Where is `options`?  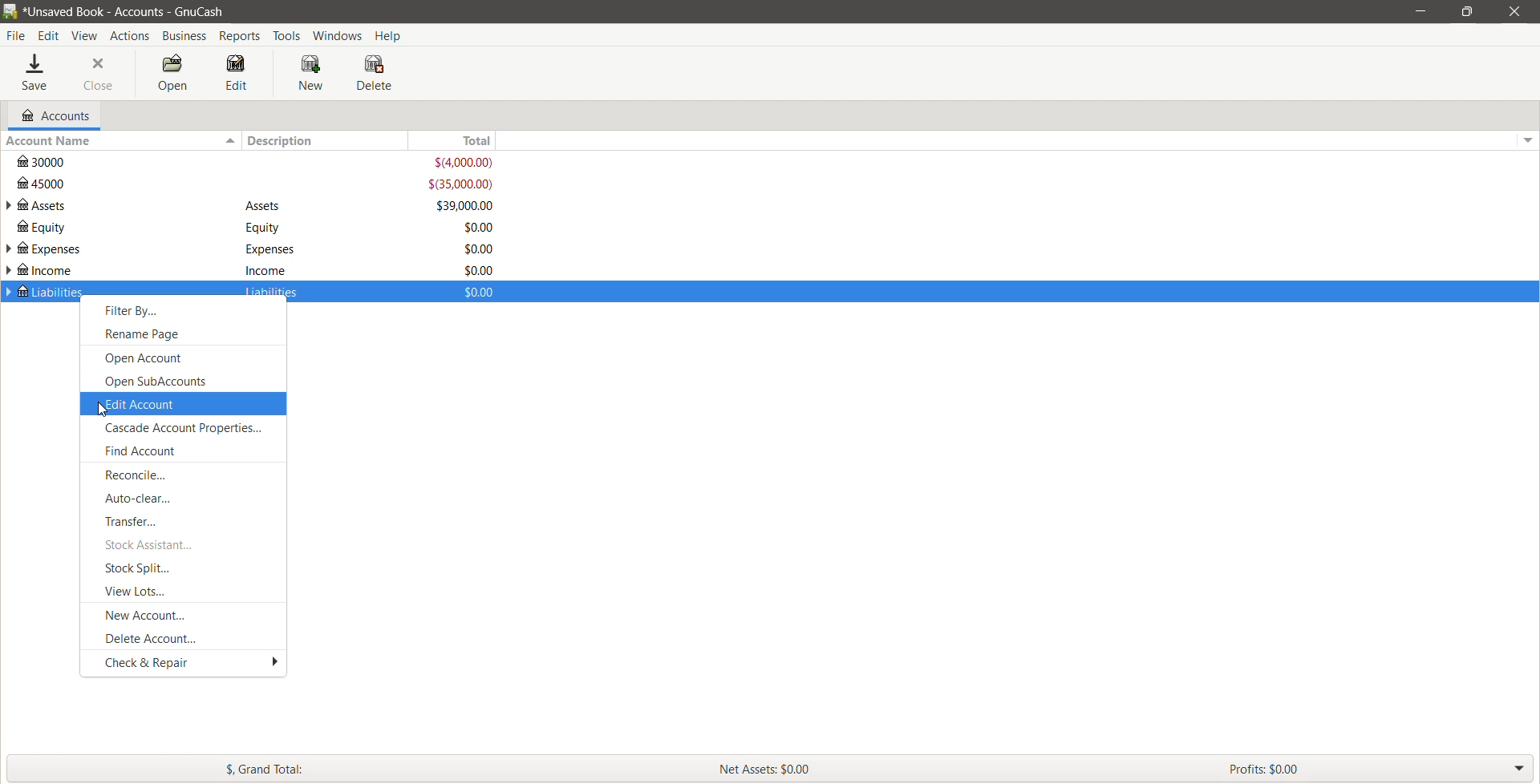
options is located at coordinates (1526, 136).